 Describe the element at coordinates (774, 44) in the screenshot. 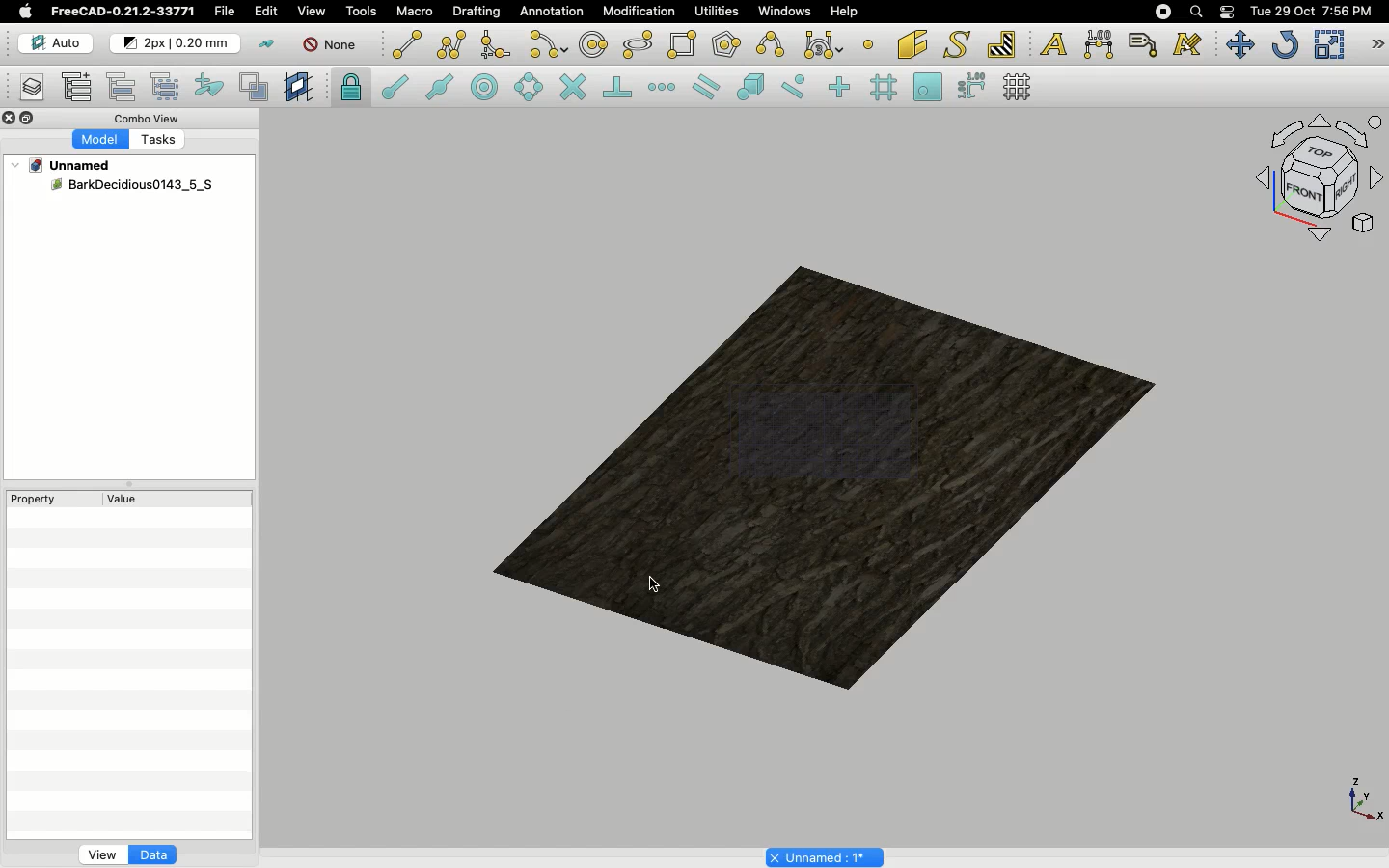

I see `B-spline` at that location.